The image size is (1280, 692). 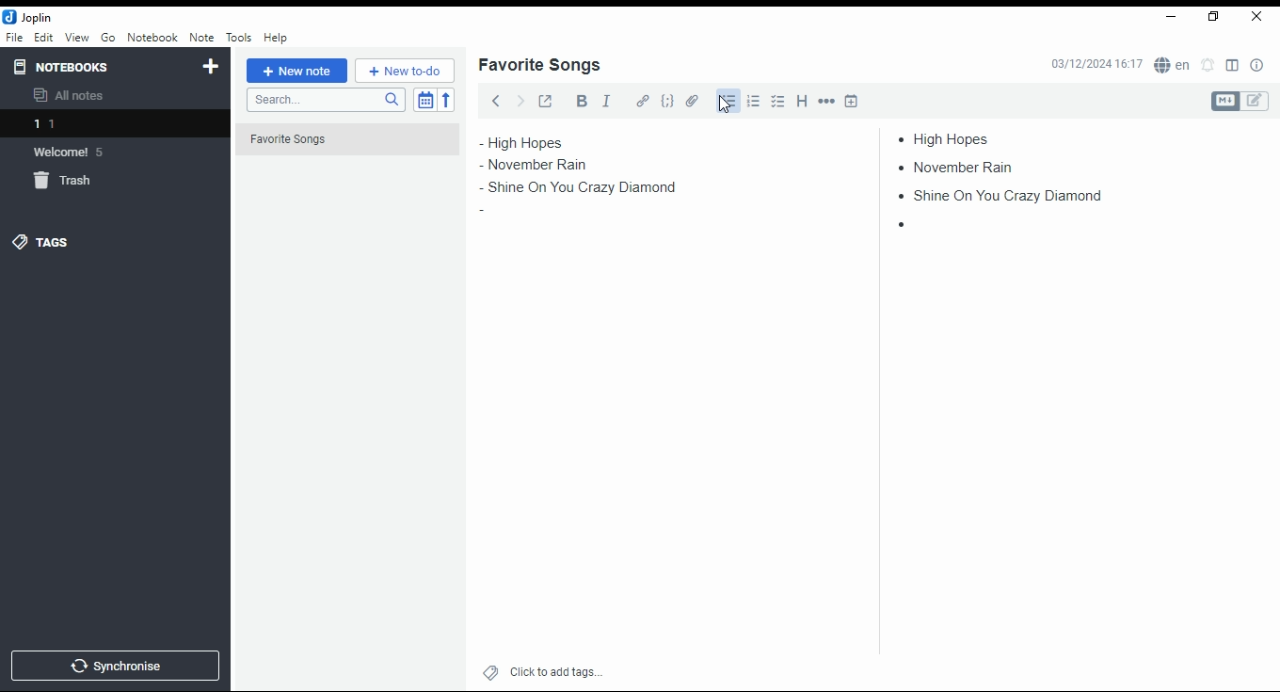 What do you see at coordinates (496, 100) in the screenshot?
I see `back` at bounding box center [496, 100].